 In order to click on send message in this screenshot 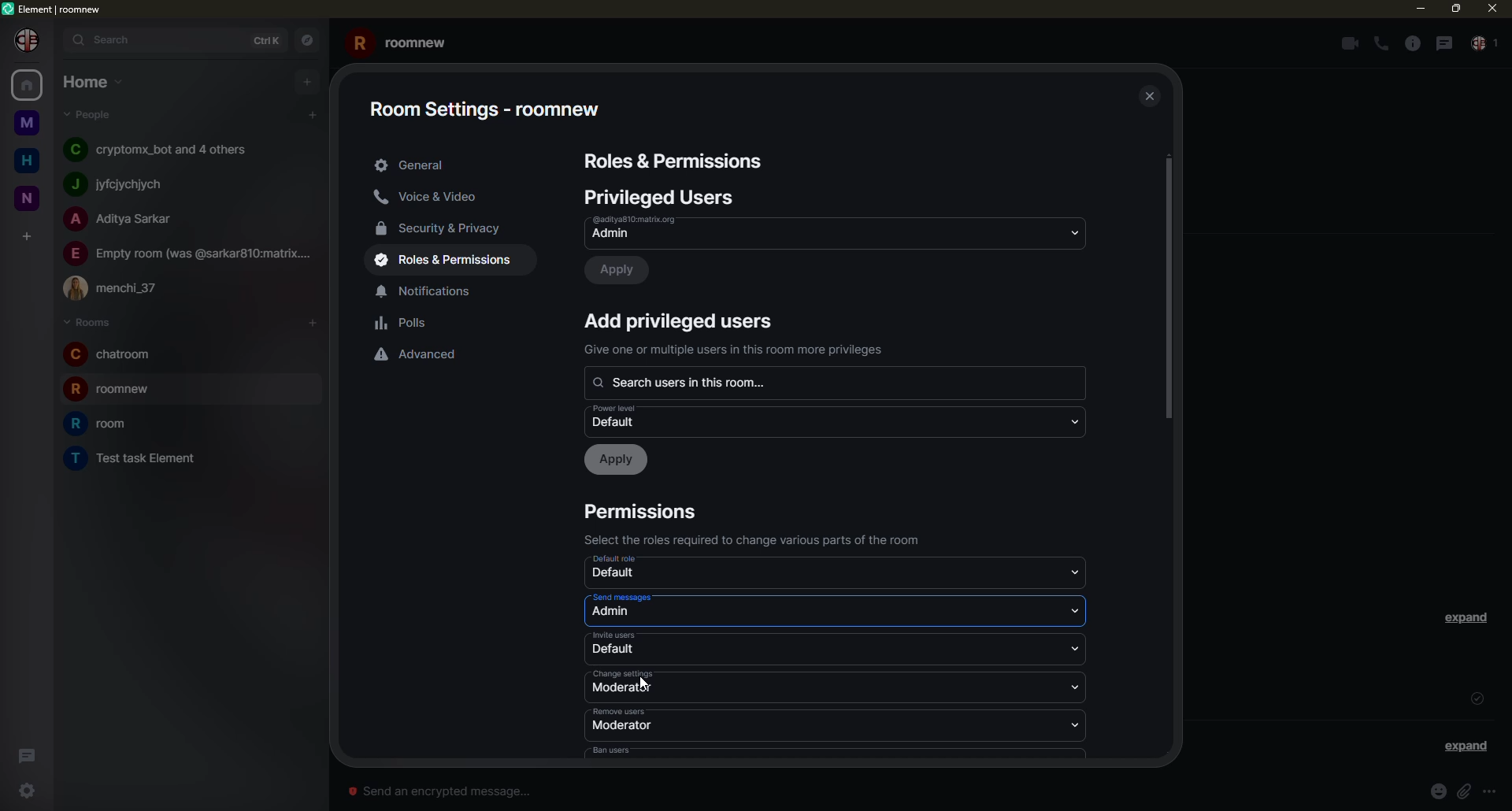, I will do `click(443, 791)`.